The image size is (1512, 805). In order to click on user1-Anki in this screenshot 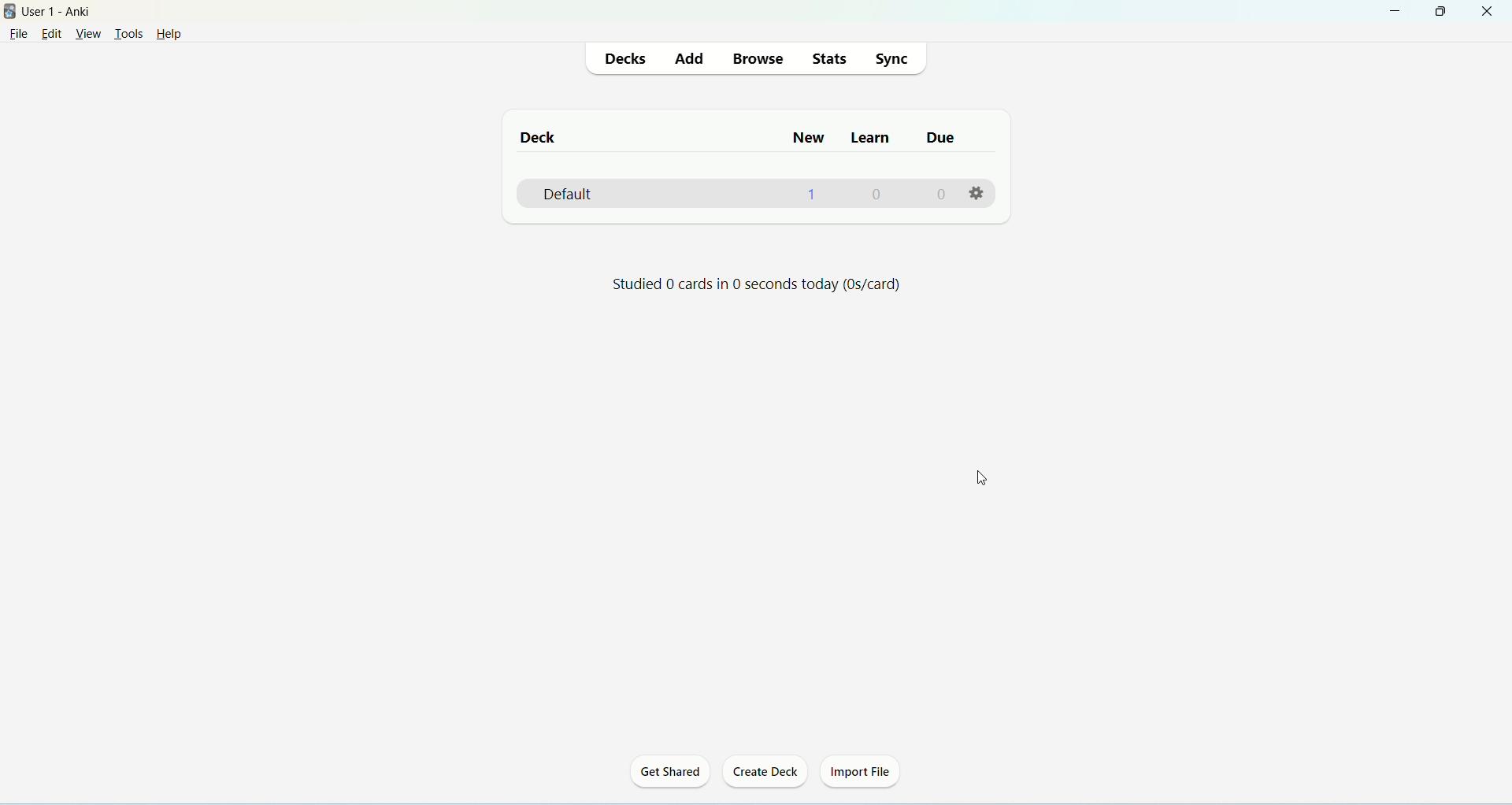, I will do `click(61, 12)`.